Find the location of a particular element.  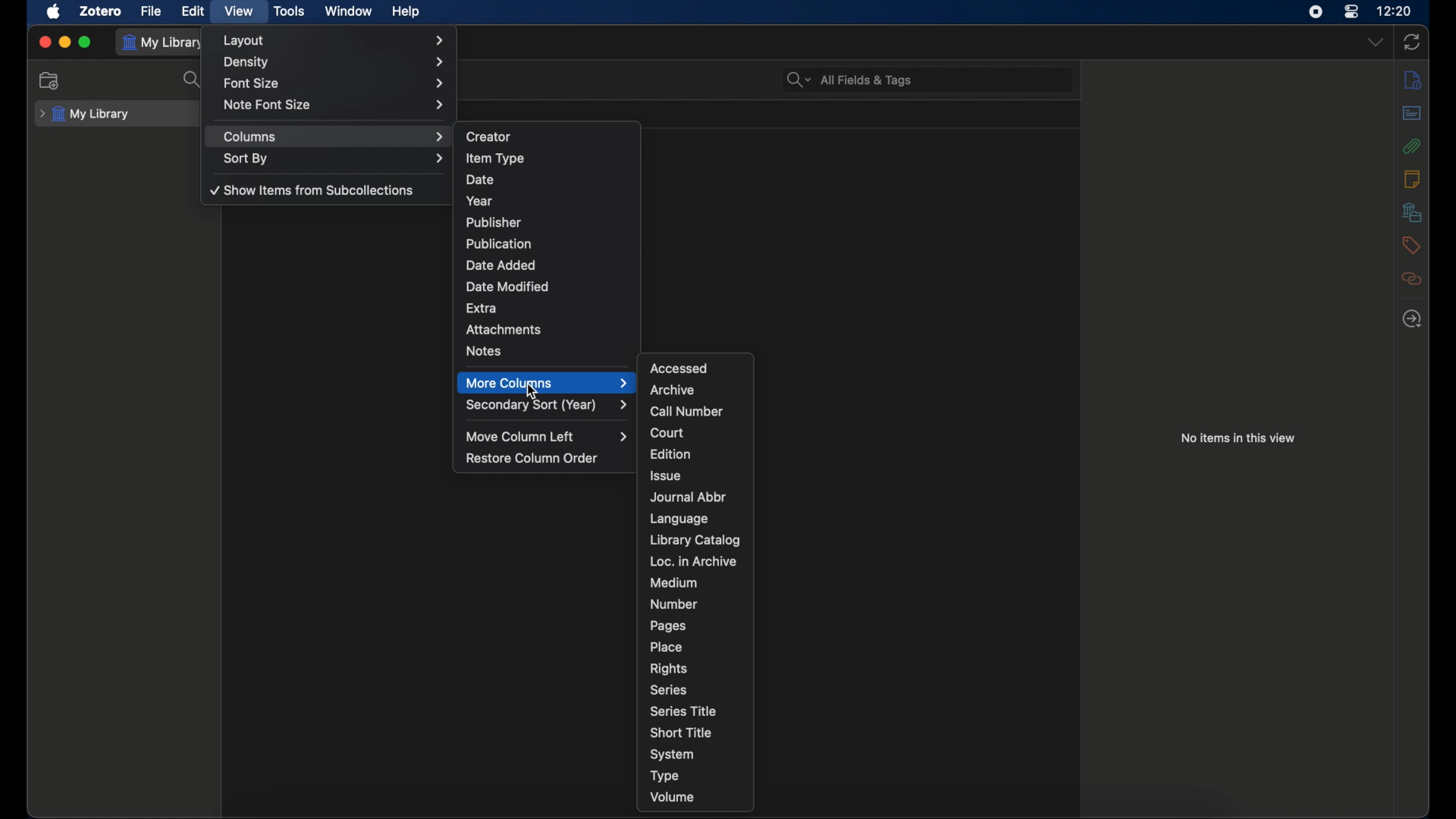

show items from subcollections is located at coordinates (311, 190).